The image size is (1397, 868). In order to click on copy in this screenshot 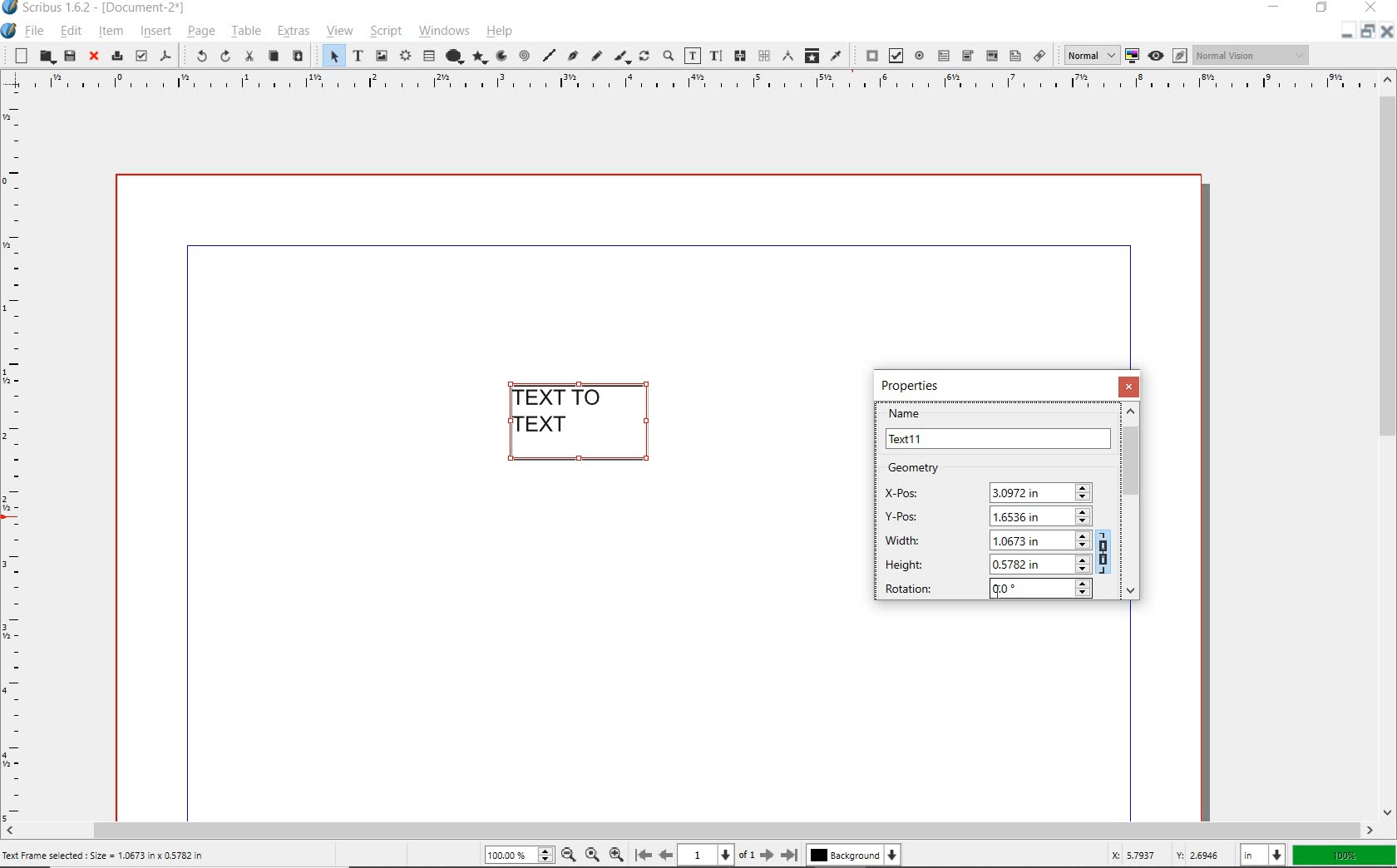, I will do `click(274, 57)`.